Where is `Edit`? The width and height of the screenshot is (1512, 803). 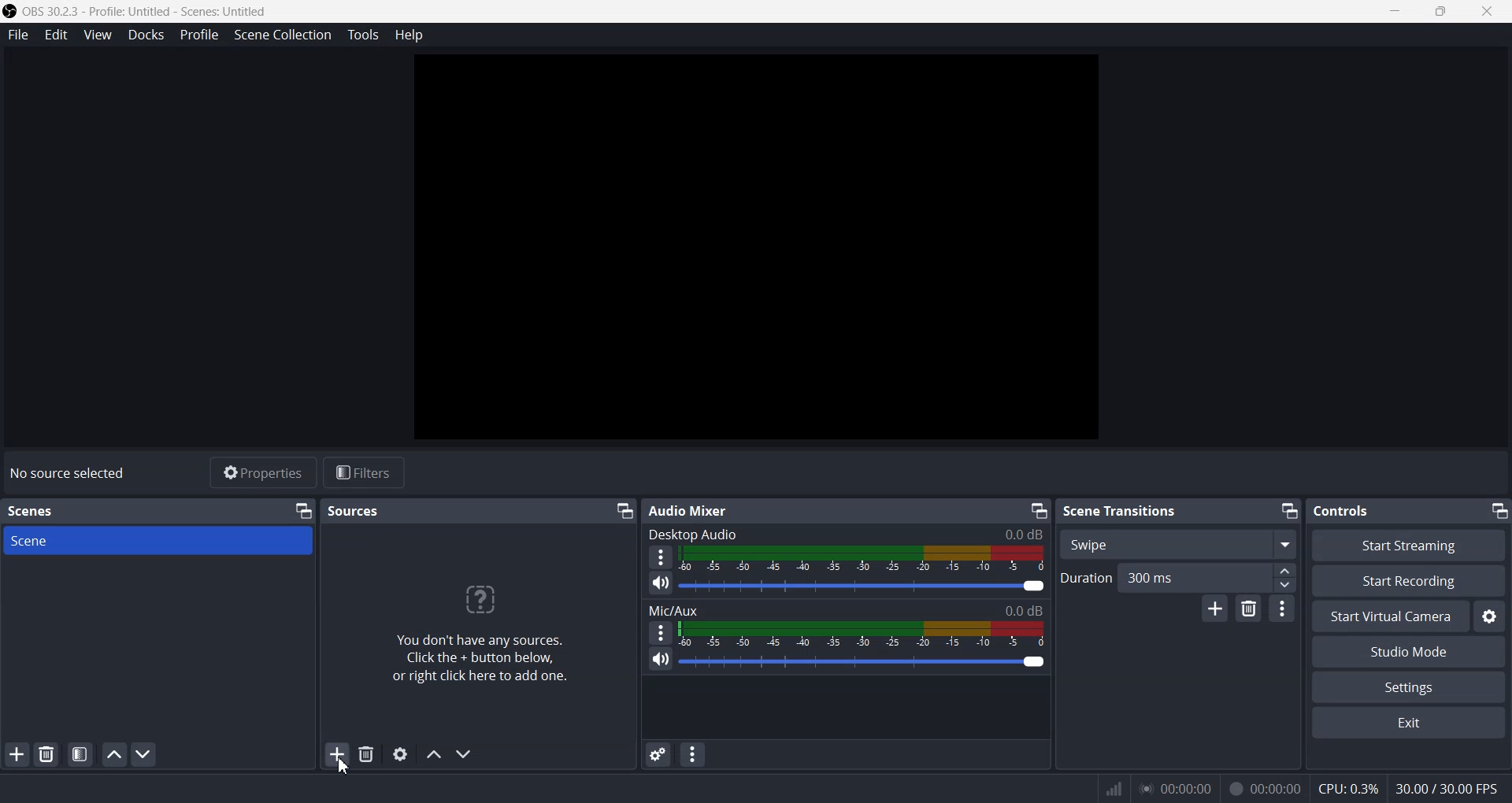
Edit is located at coordinates (56, 35).